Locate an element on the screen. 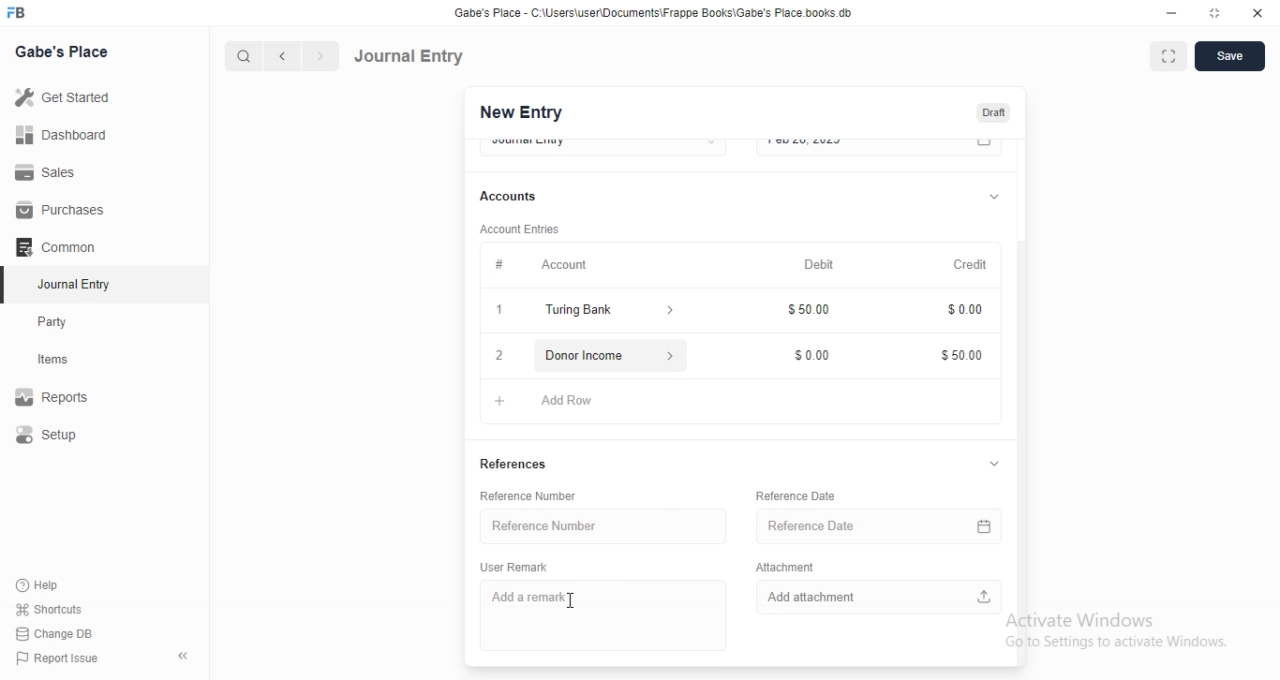 This screenshot has height=680, width=1280. Gabe's Place - C\Users\userDocuments Frappe Books\Gabe's Place books db. is located at coordinates (654, 13).